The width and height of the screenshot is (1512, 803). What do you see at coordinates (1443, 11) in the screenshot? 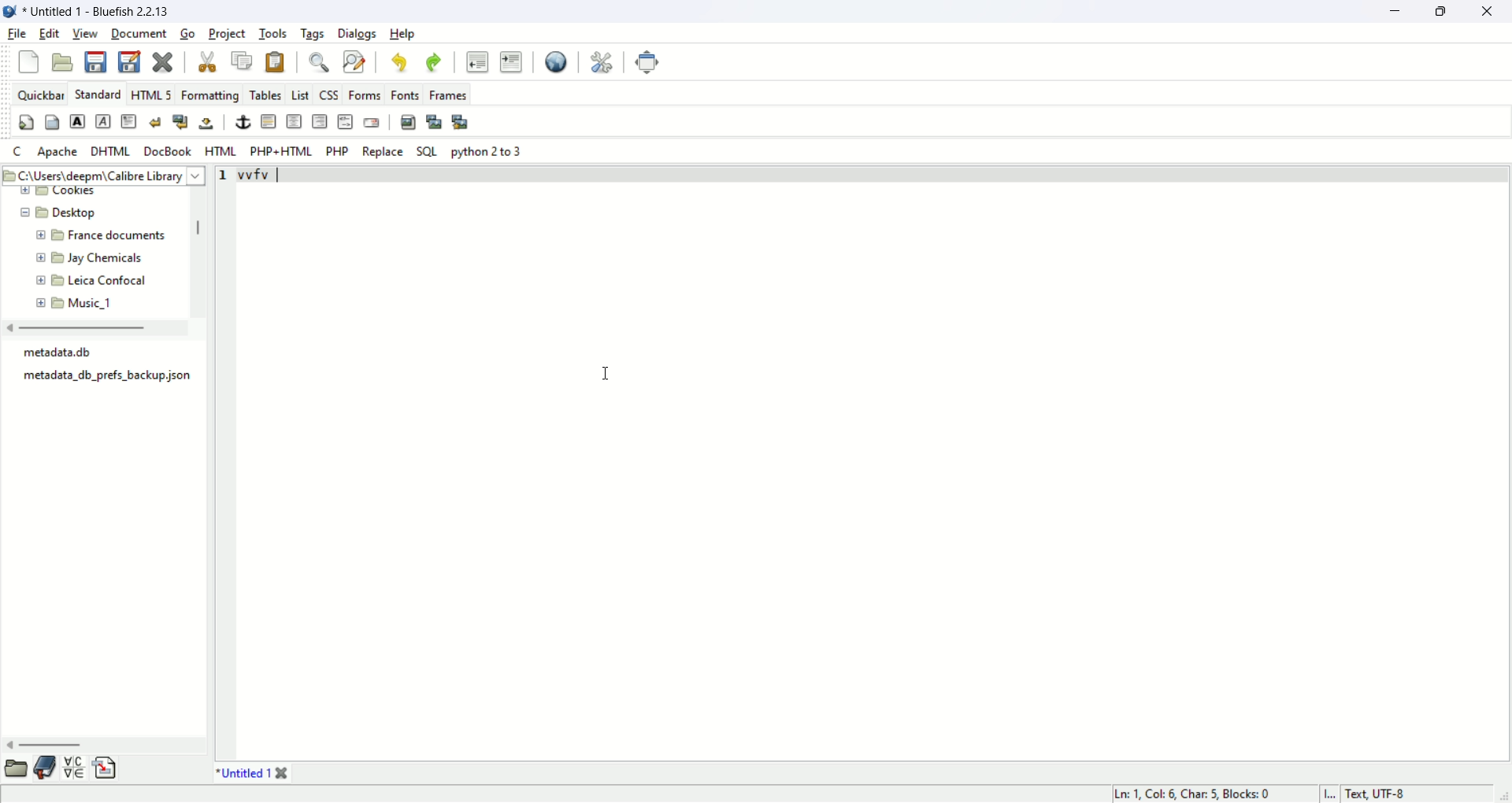
I see `maximize` at bounding box center [1443, 11].